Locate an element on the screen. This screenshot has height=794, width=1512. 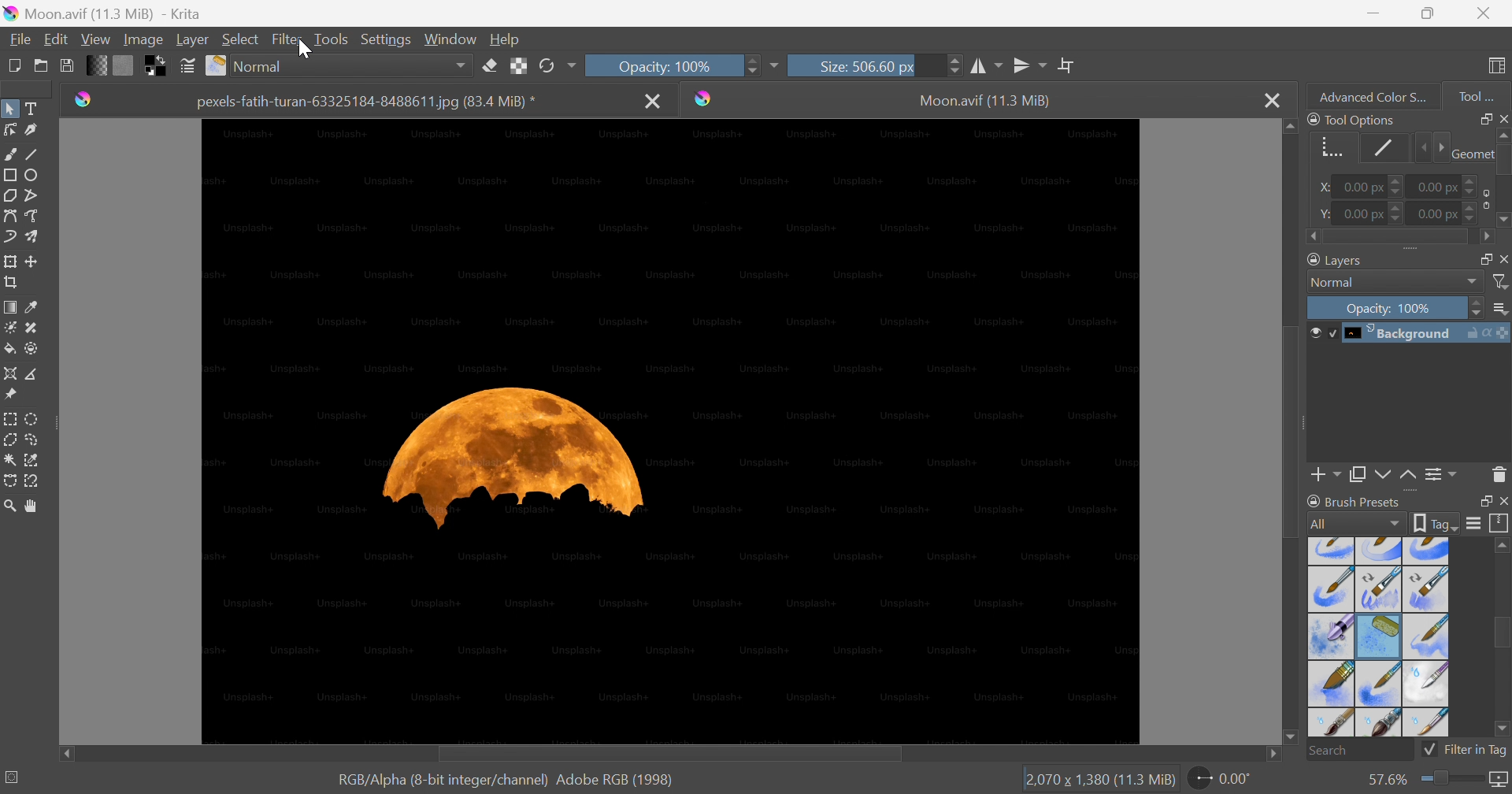
Scroll bar is located at coordinates (1399, 238).